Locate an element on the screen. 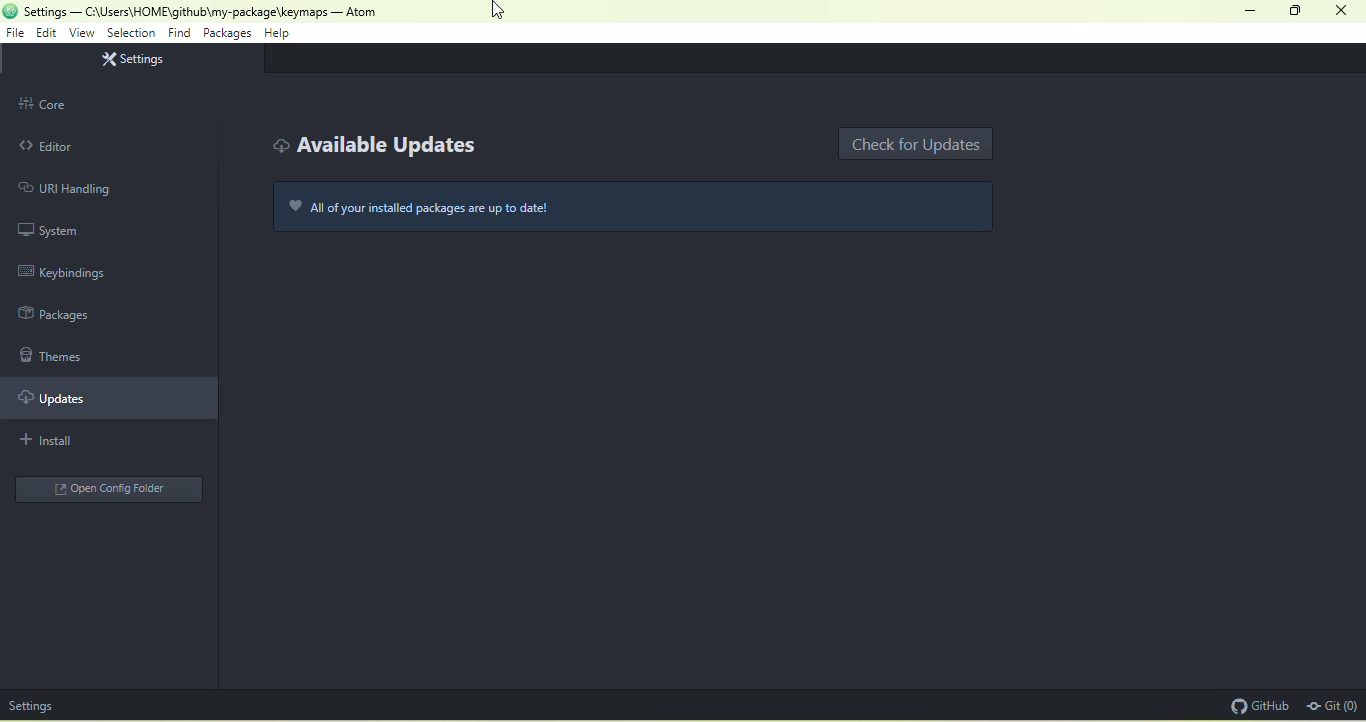  URI Handing is located at coordinates (62, 188).